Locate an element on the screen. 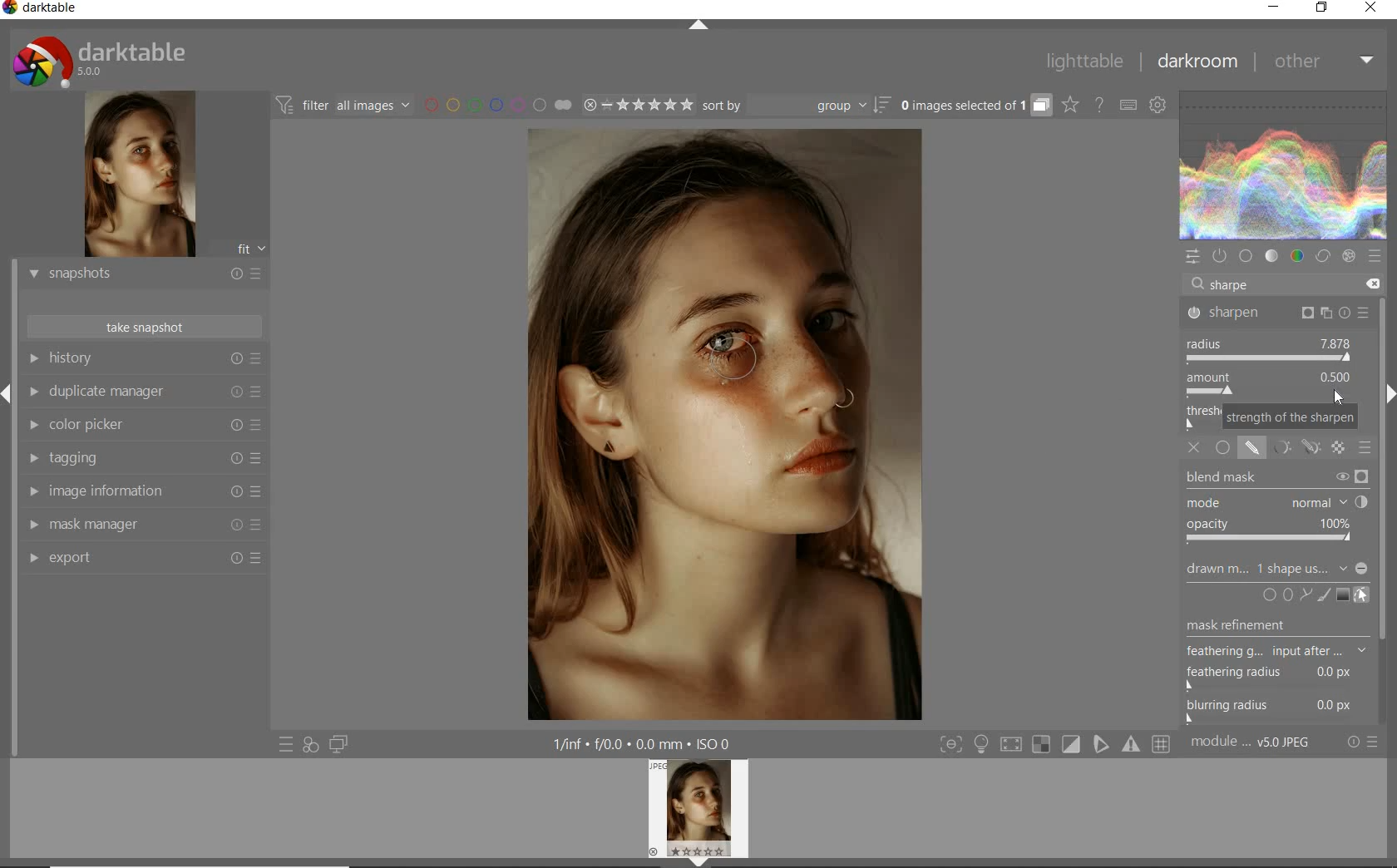 The image size is (1397, 868). module is located at coordinates (1252, 742).